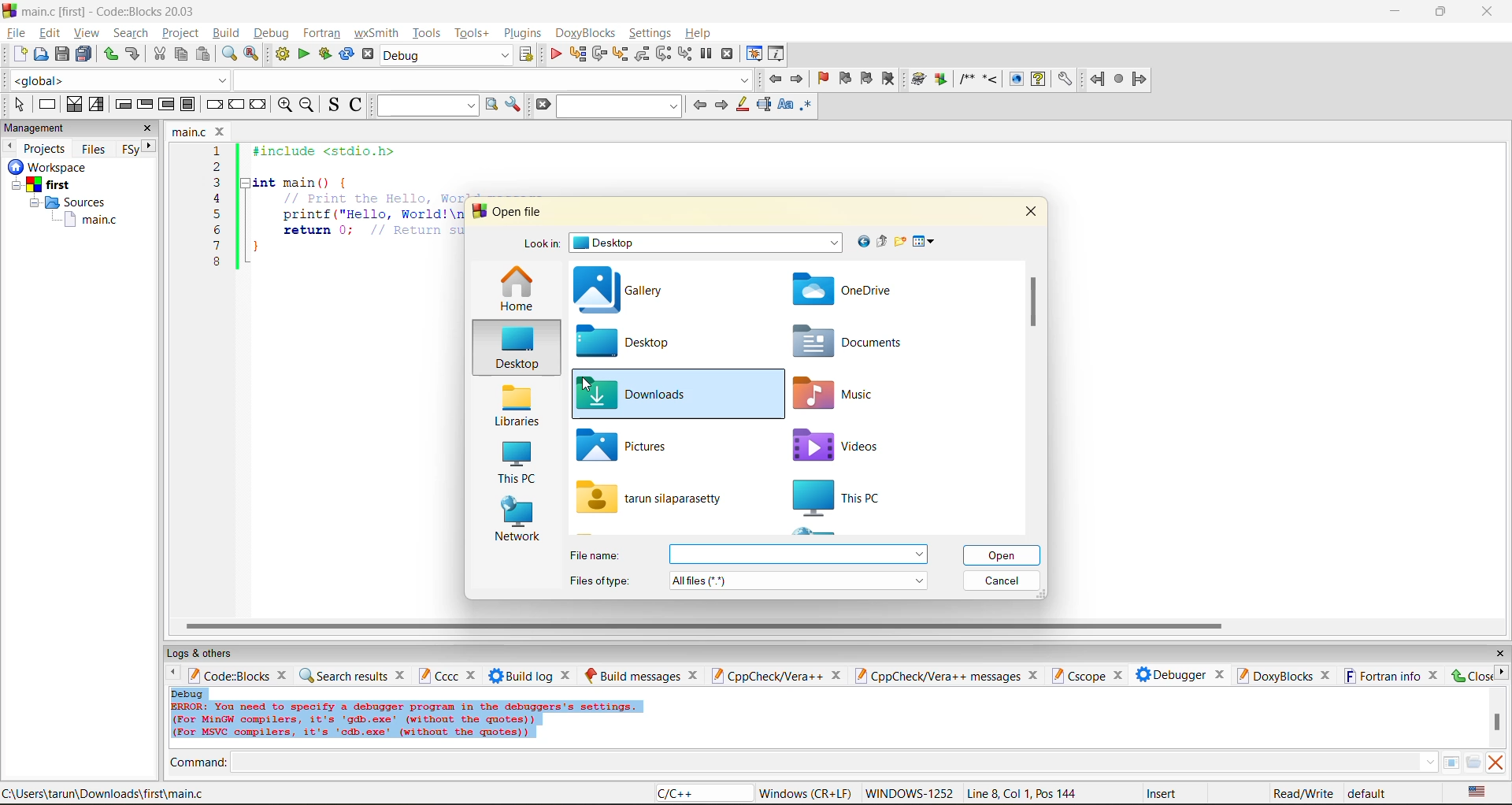 This screenshot has width=1512, height=805. I want to click on Fsy, so click(129, 150).